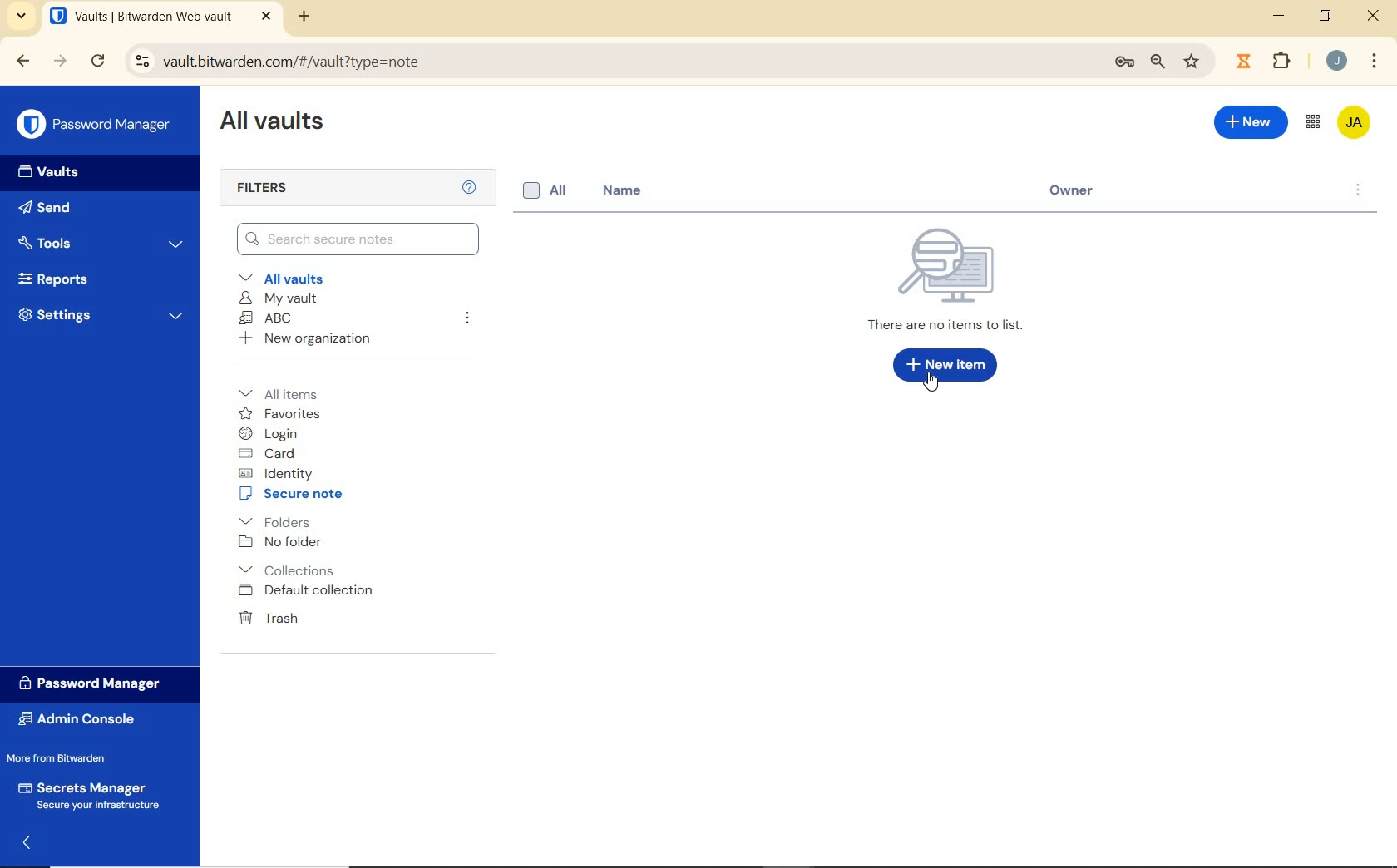 This screenshot has height=868, width=1397. Describe the element at coordinates (1242, 62) in the screenshot. I see `extensions` at that location.